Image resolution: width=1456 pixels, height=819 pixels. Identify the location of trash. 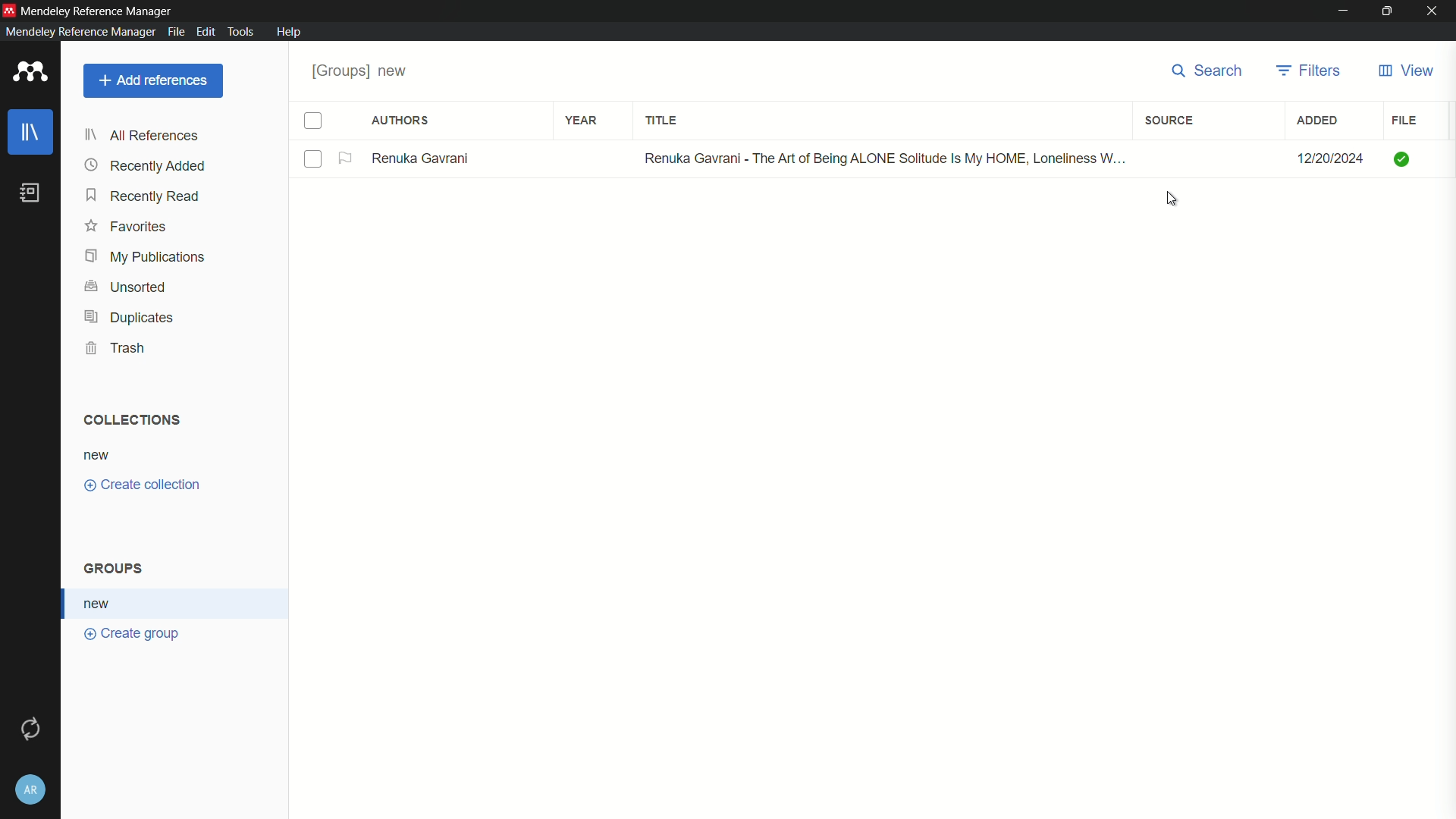
(115, 348).